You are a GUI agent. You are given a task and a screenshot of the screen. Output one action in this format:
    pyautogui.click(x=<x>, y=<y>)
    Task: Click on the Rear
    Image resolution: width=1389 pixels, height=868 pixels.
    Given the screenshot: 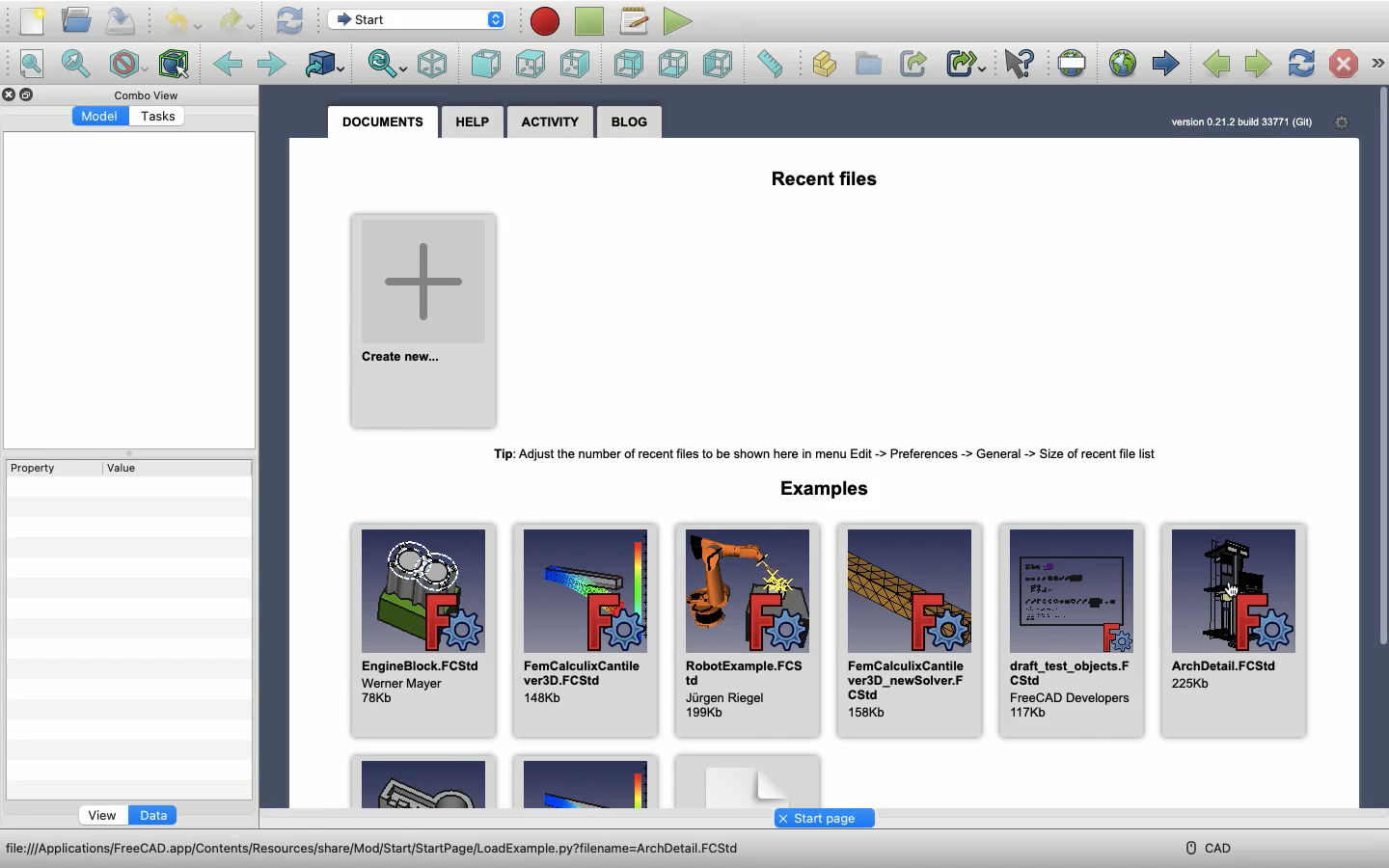 What is the action you would take?
    pyautogui.click(x=630, y=64)
    